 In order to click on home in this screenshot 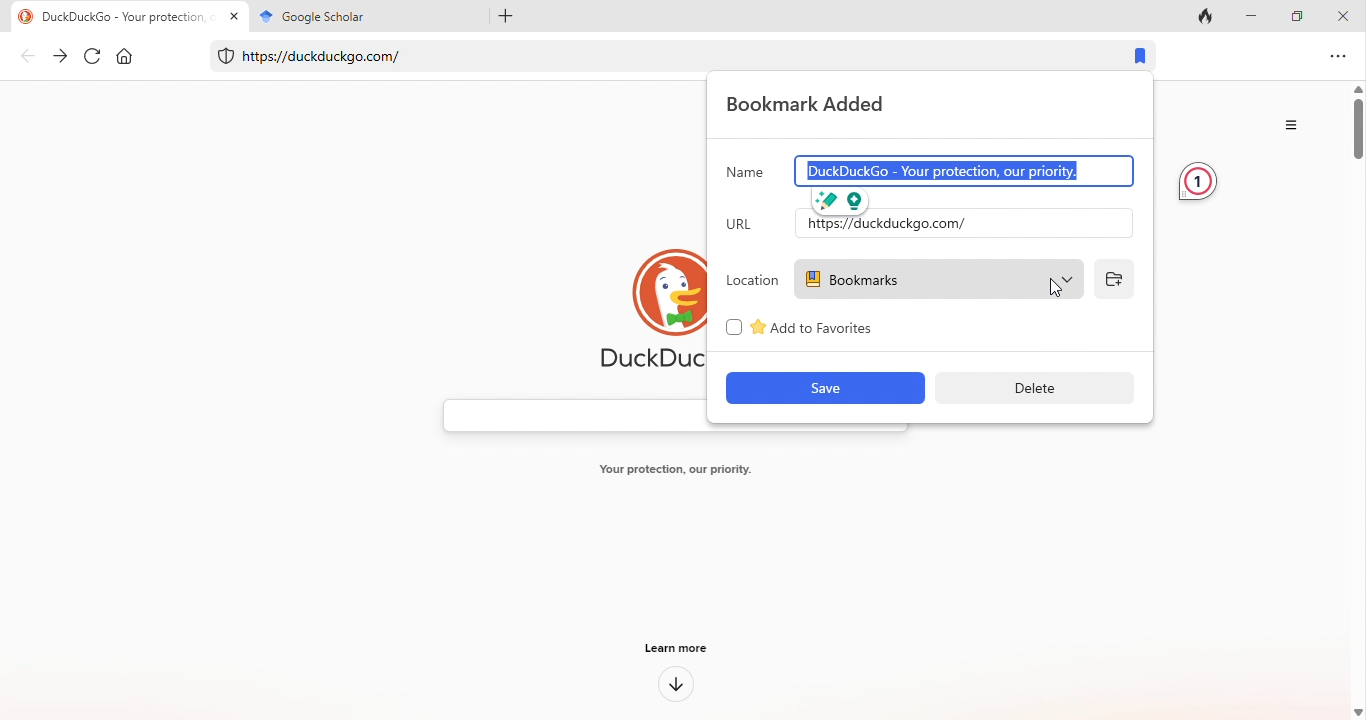, I will do `click(130, 58)`.